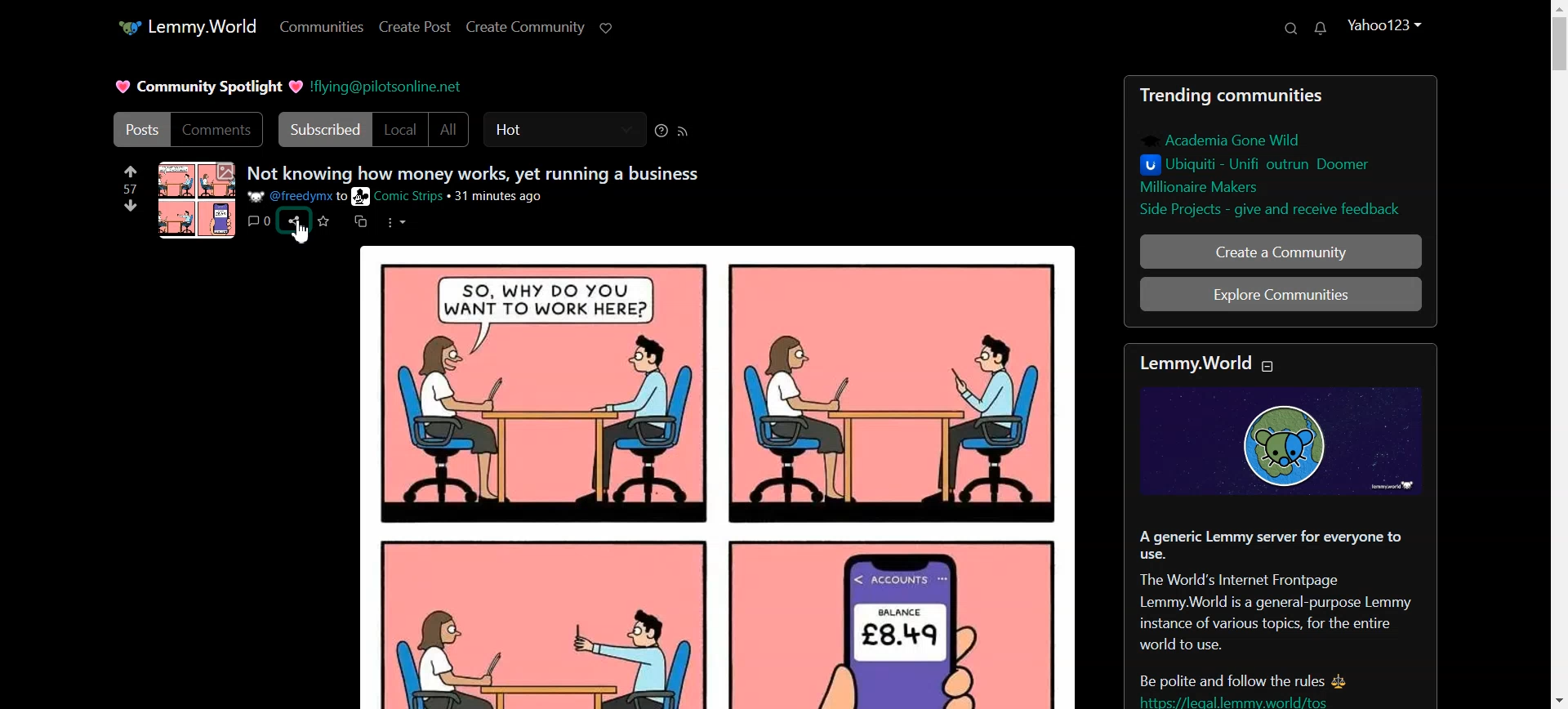  Describe the element at coordinates (324, 221) in the screenshot. I see `Save` at that location.